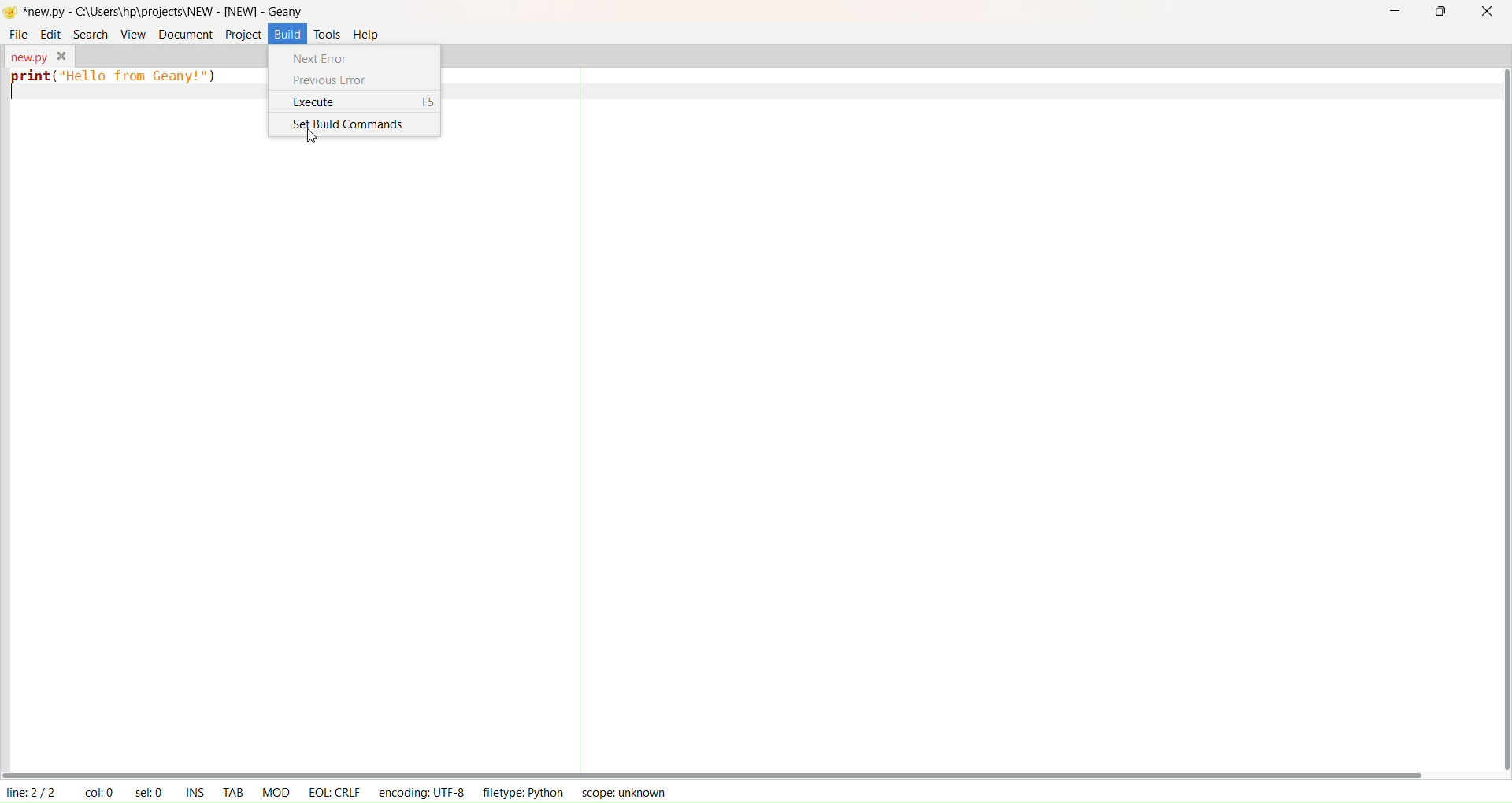 The image size is (1512, 803). I want to click on close, so click(1488, 13).